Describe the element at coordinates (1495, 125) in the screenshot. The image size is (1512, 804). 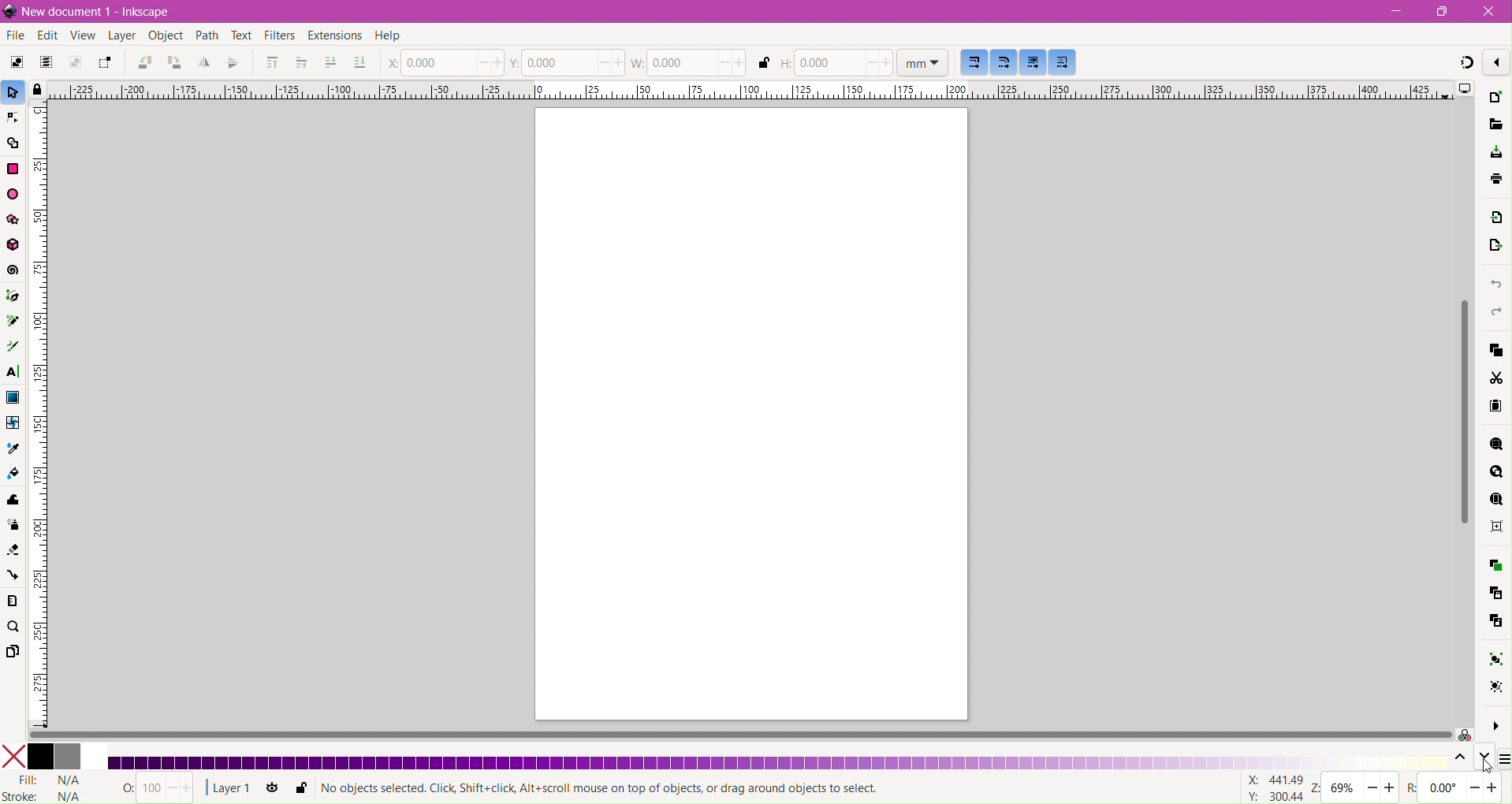
I see `Open File Dialog` at that location.